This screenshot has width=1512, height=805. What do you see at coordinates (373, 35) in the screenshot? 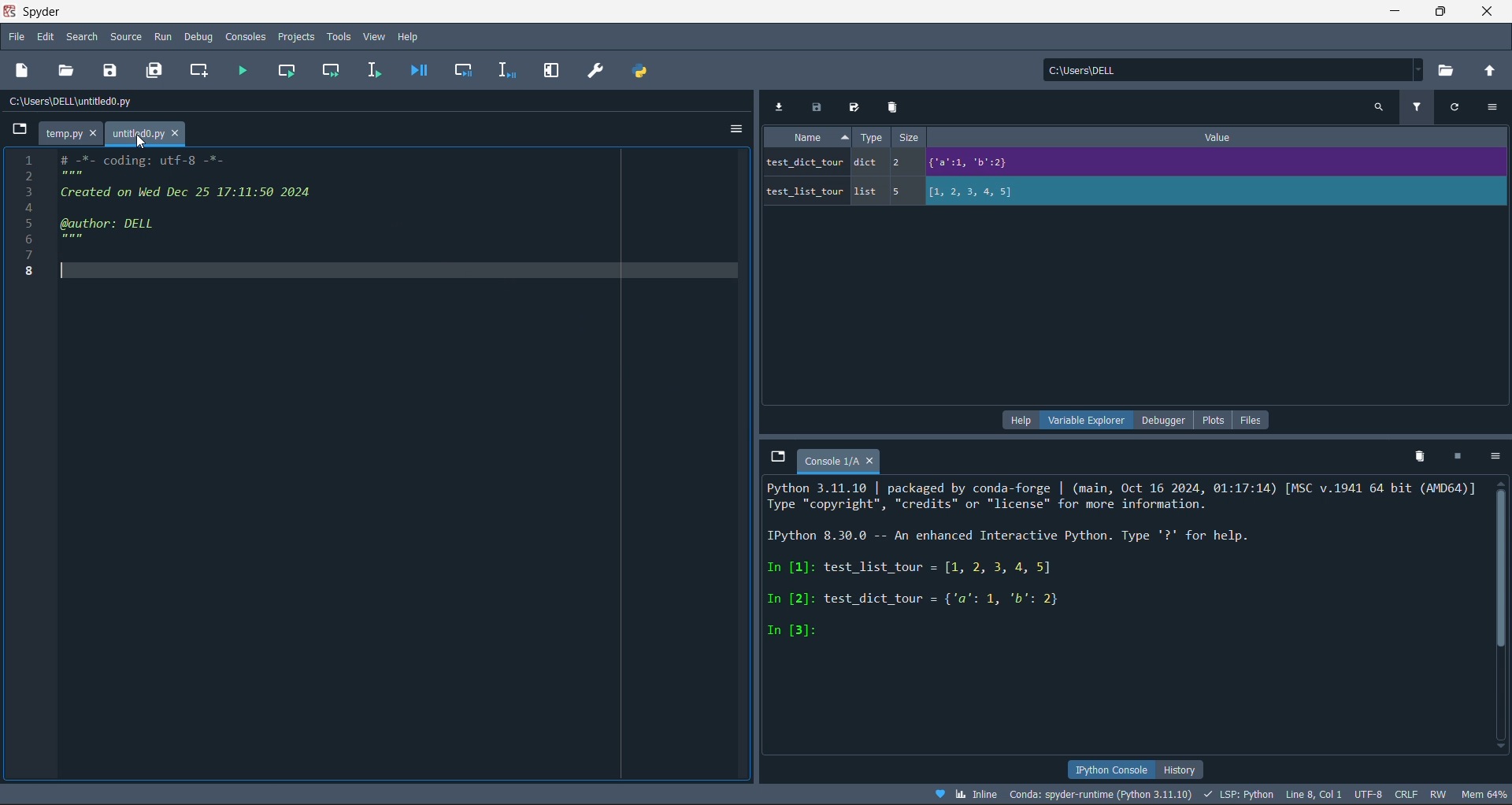
I see `view` at bounding box center [373, 35].